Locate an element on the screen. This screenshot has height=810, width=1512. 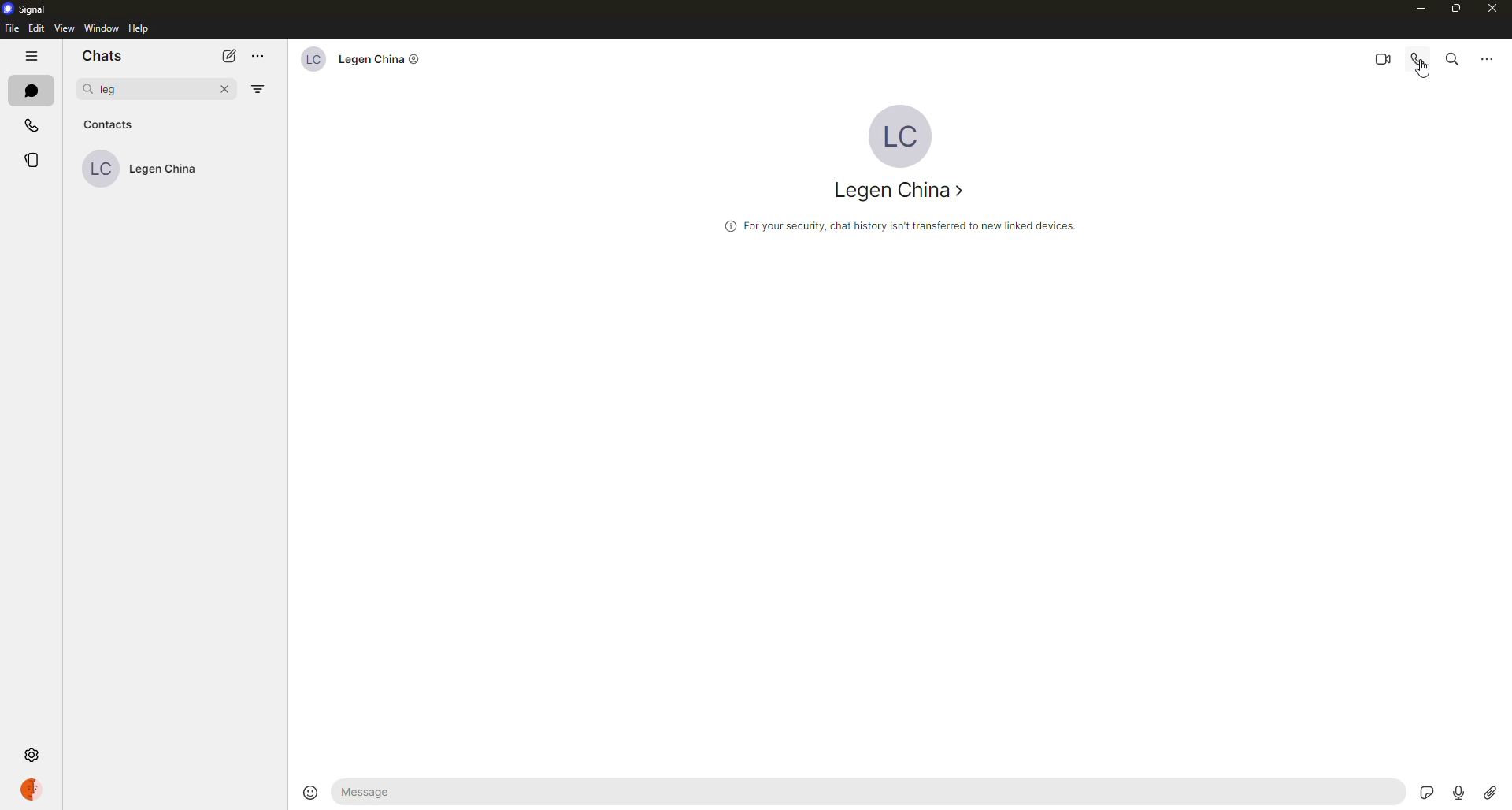
edit is located at coordinates (37, 28).